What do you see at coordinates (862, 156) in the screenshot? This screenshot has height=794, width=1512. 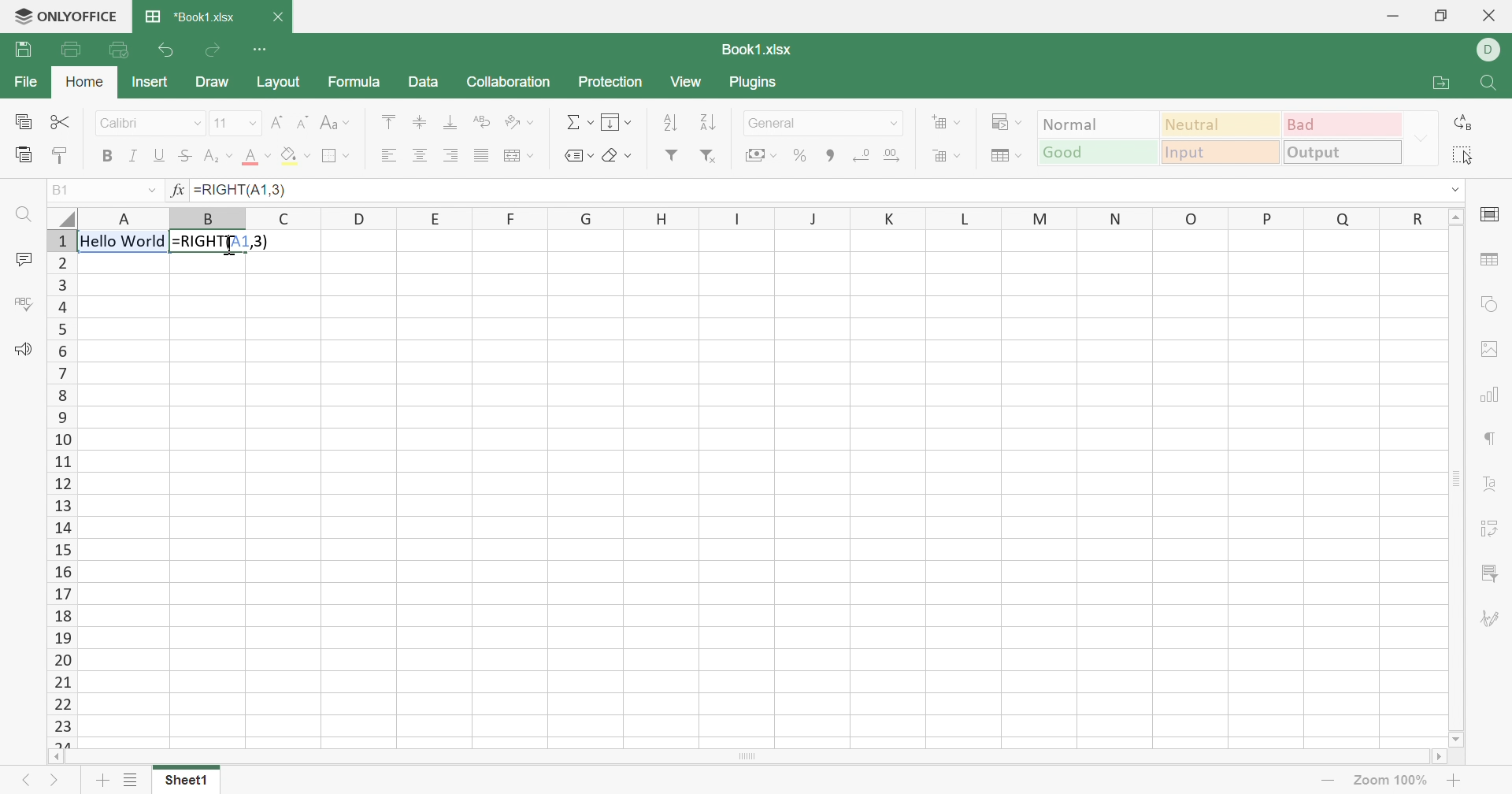 I see `Decrease decimal` at bounding box center [862, 156].